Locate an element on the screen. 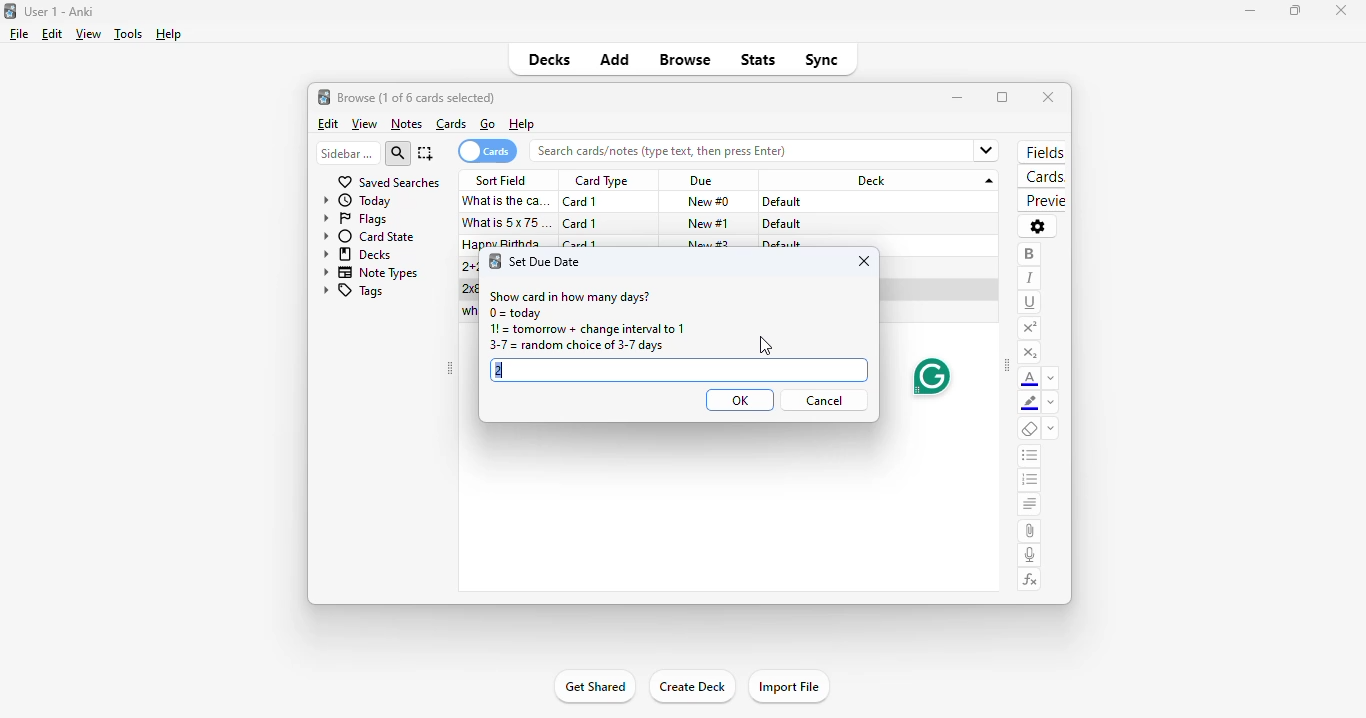 Image resolution: width=1366 pixels, height=718 pixels. equations is located at coordinates (1031, 580).